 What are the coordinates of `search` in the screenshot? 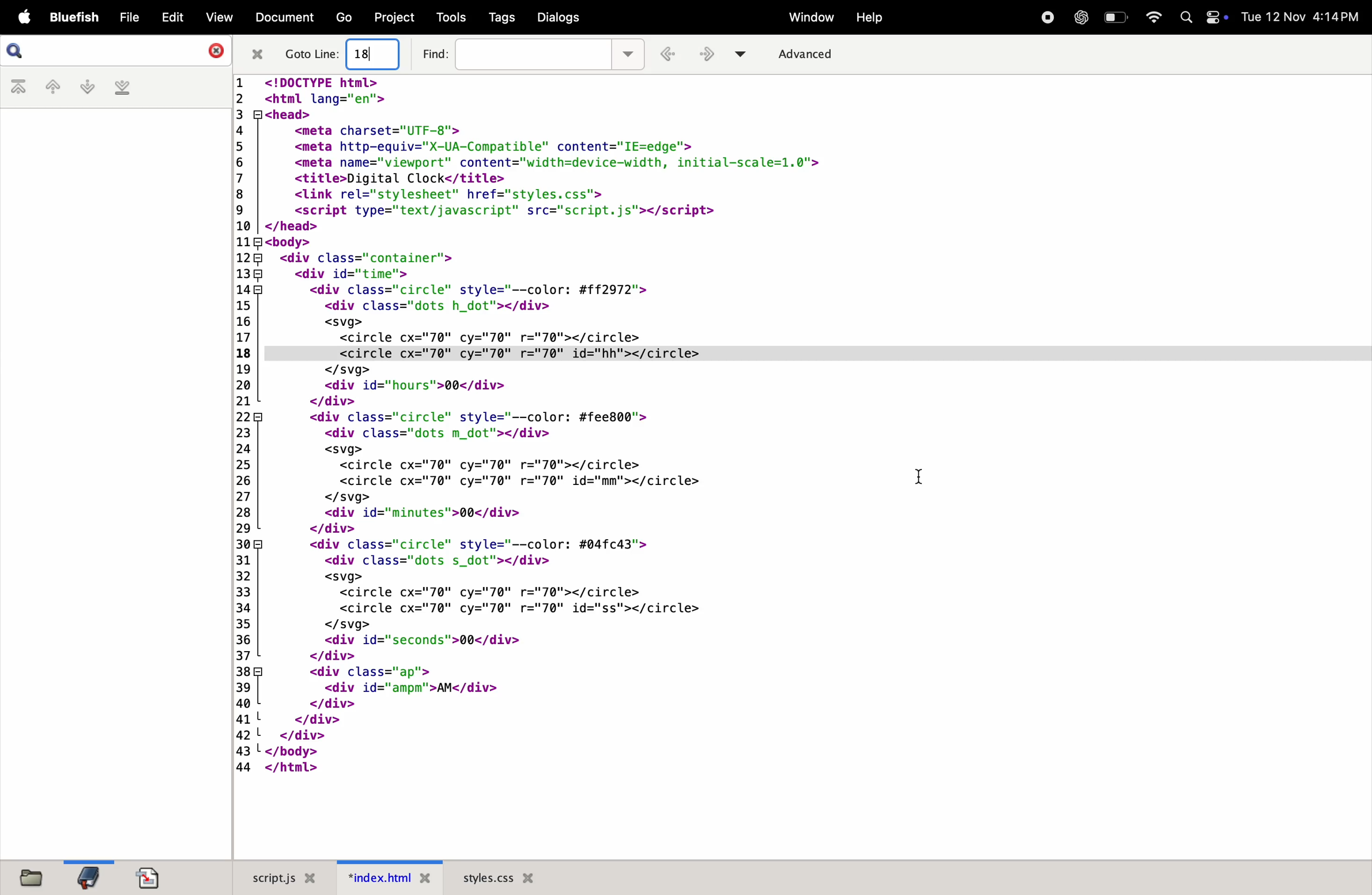 It's located at (17, 51).